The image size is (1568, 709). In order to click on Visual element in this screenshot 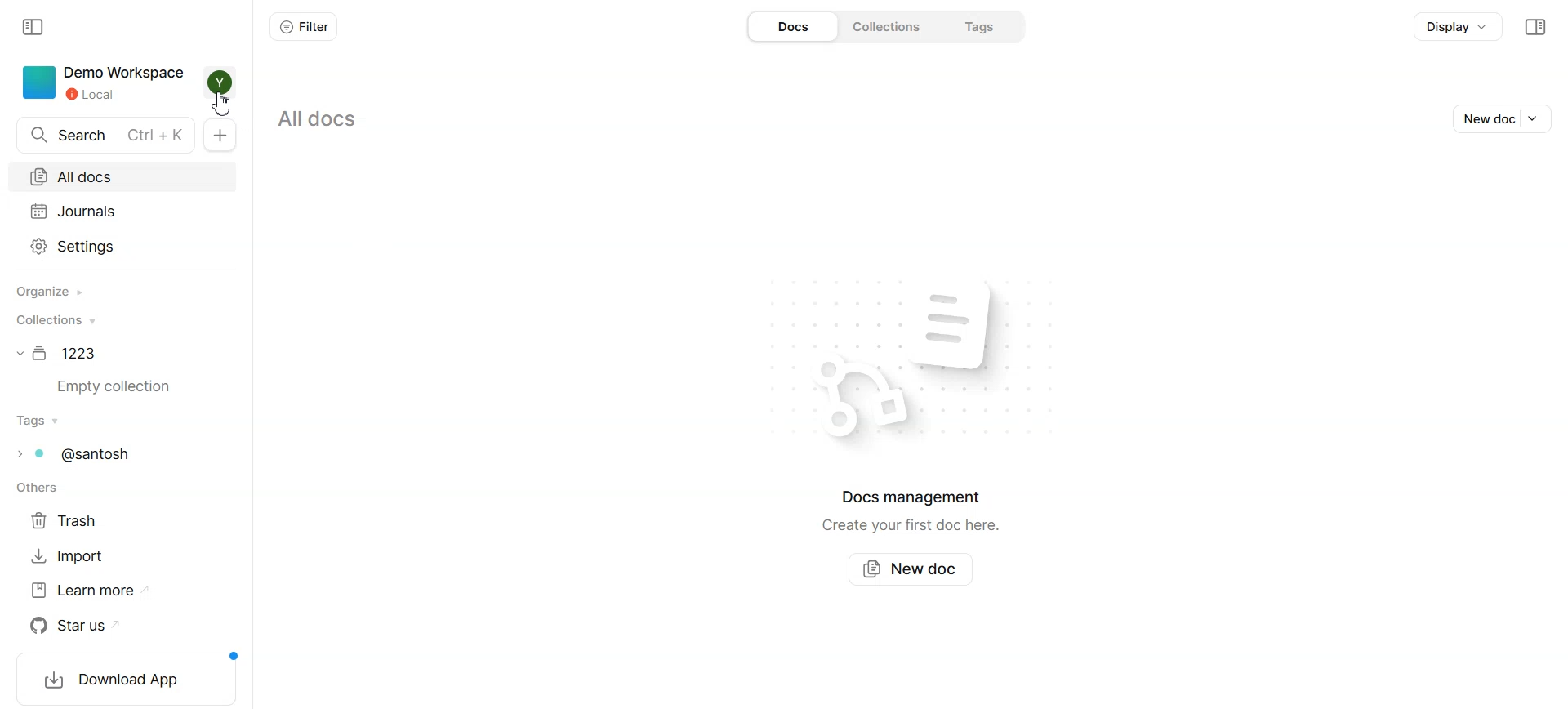, I will do `click(983, 324)`.